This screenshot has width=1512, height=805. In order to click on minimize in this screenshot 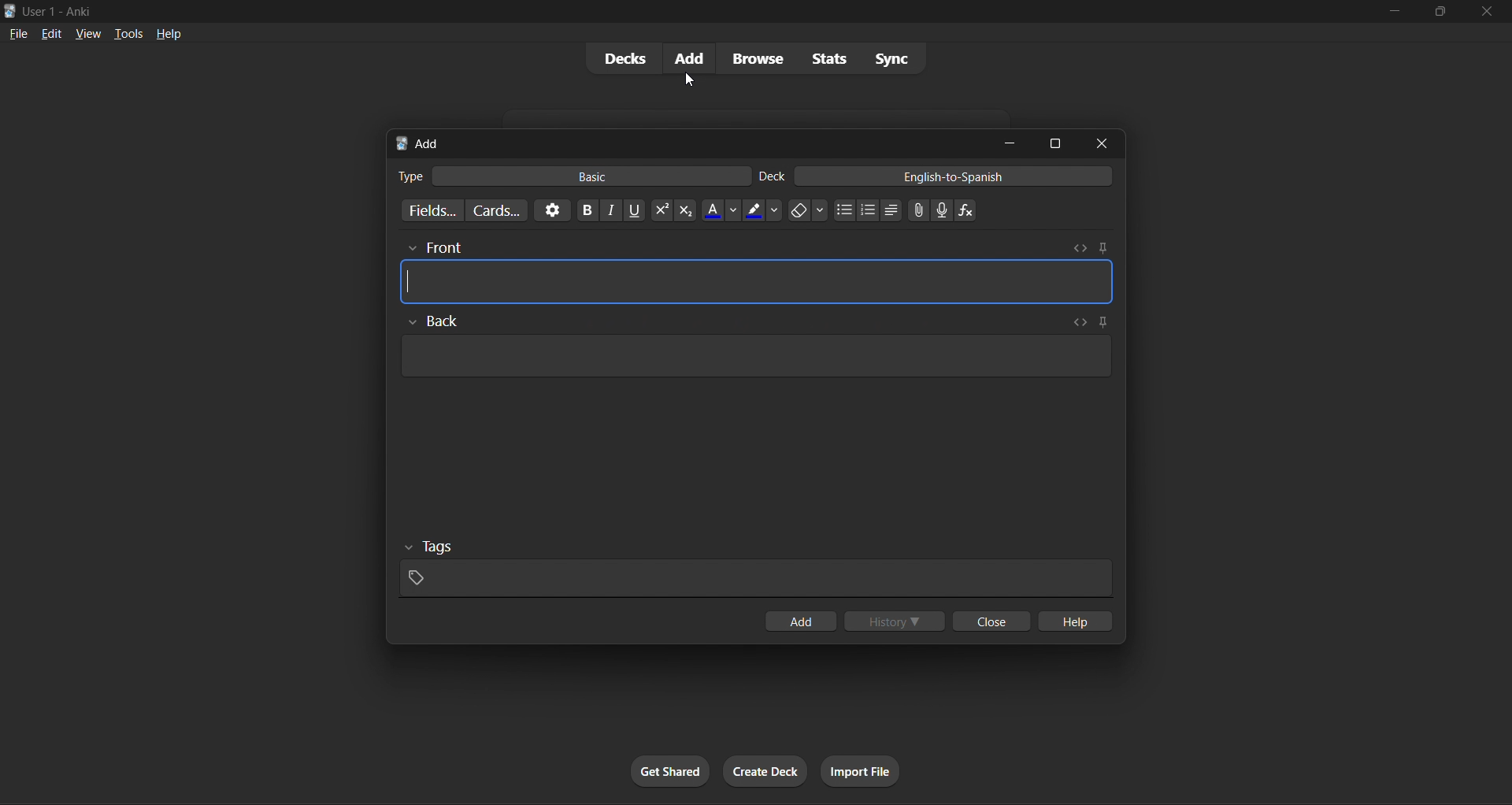, I will do `click(1392, 14)`.